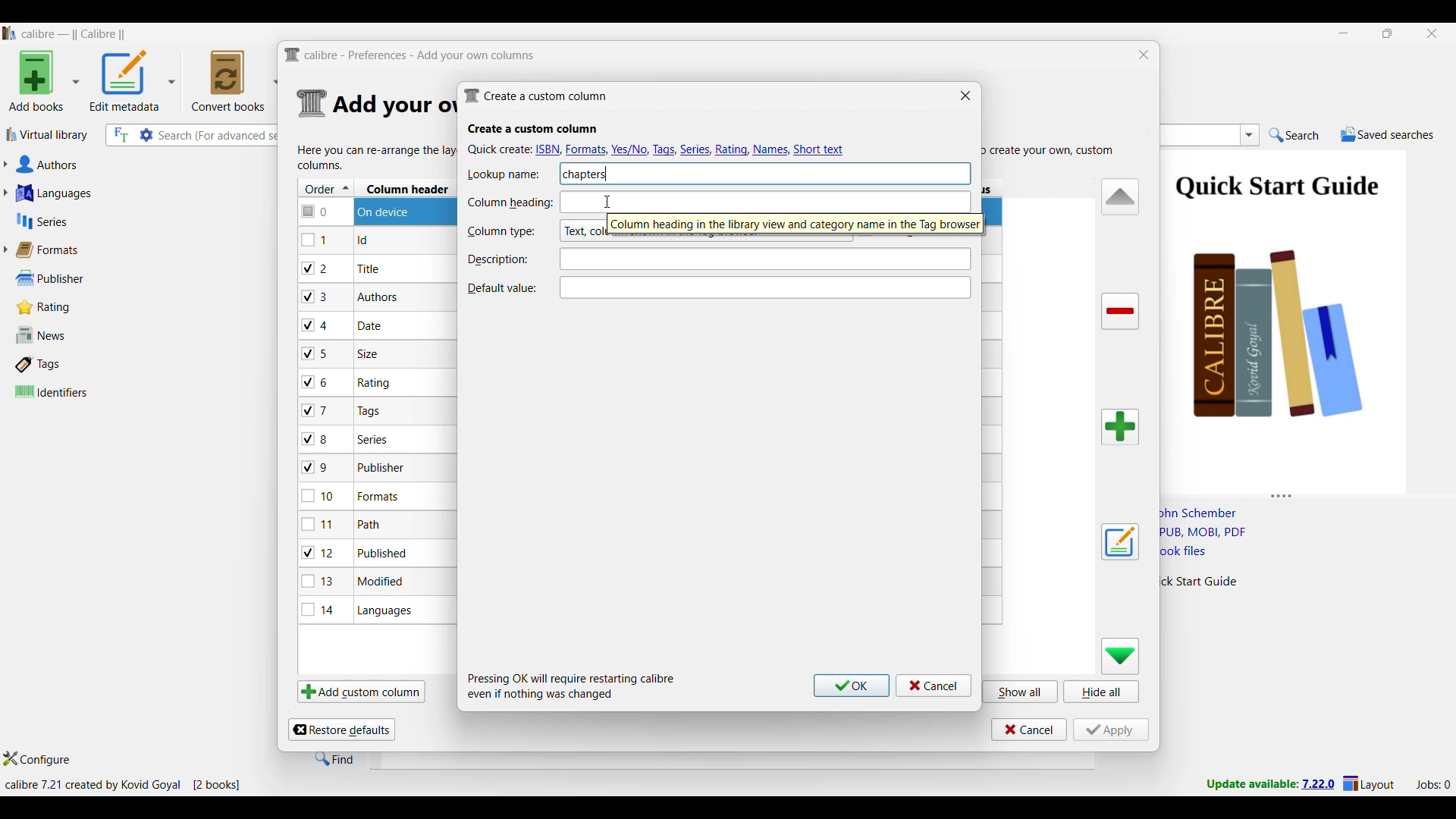 This screenshot has width=1456, height=819. What do you see at coordinates (764, 286) in the screenshot?
I see `Text` at bounding box center [764, 286].